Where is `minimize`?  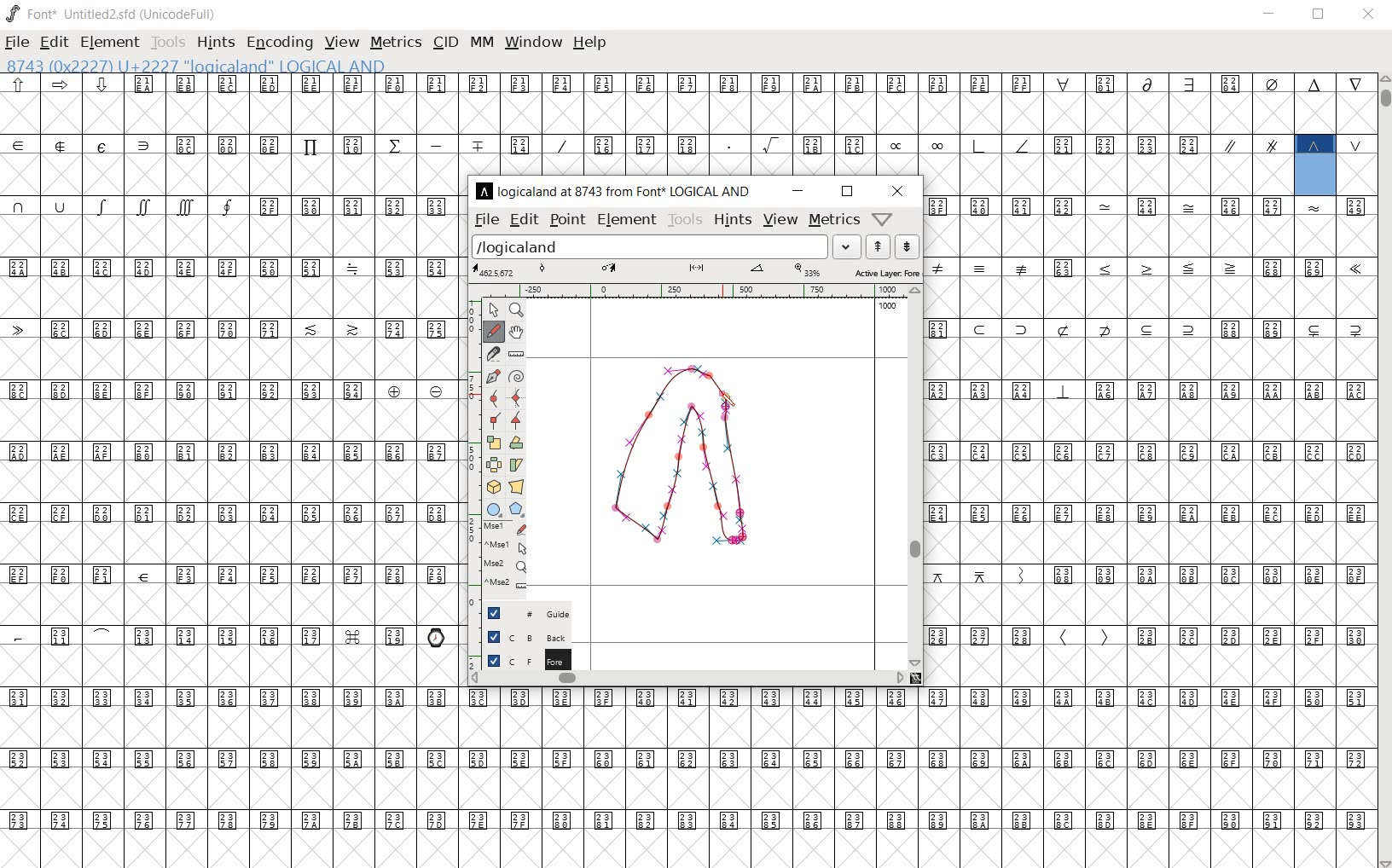 minimize is located at coordinates (801, 190).